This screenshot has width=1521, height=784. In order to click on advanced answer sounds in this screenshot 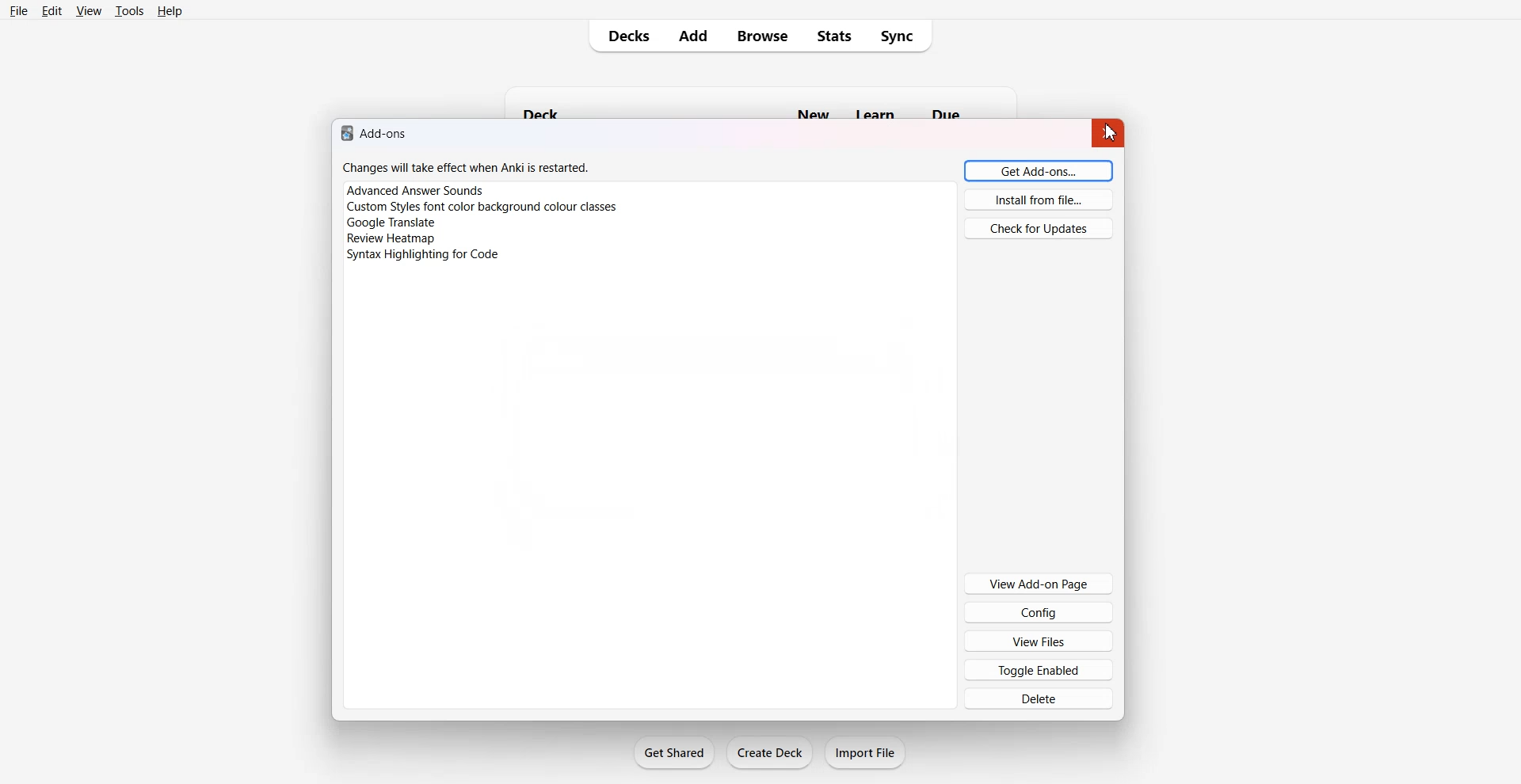, I will do `click(416, 190)`.